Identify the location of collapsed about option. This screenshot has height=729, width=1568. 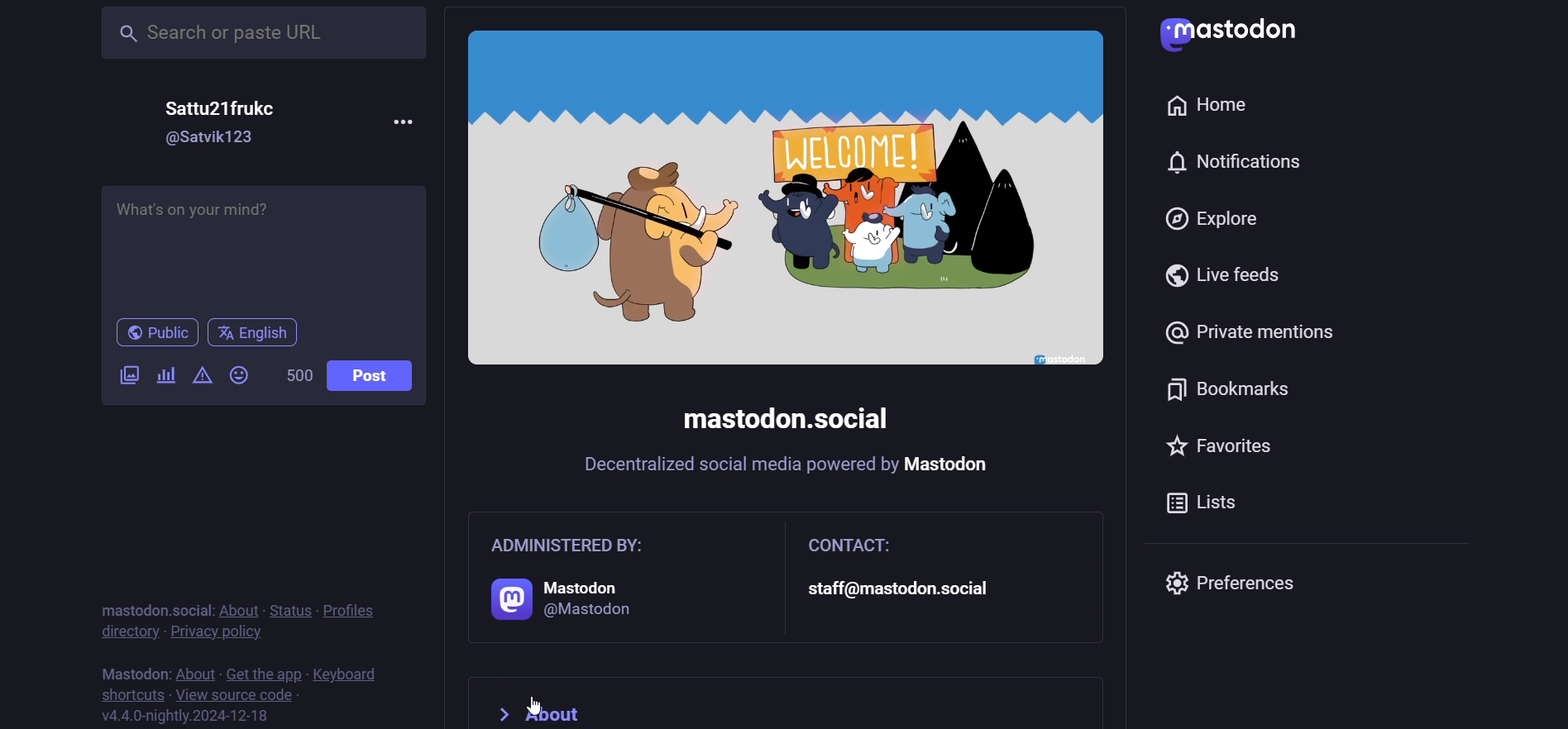
(550, 703).